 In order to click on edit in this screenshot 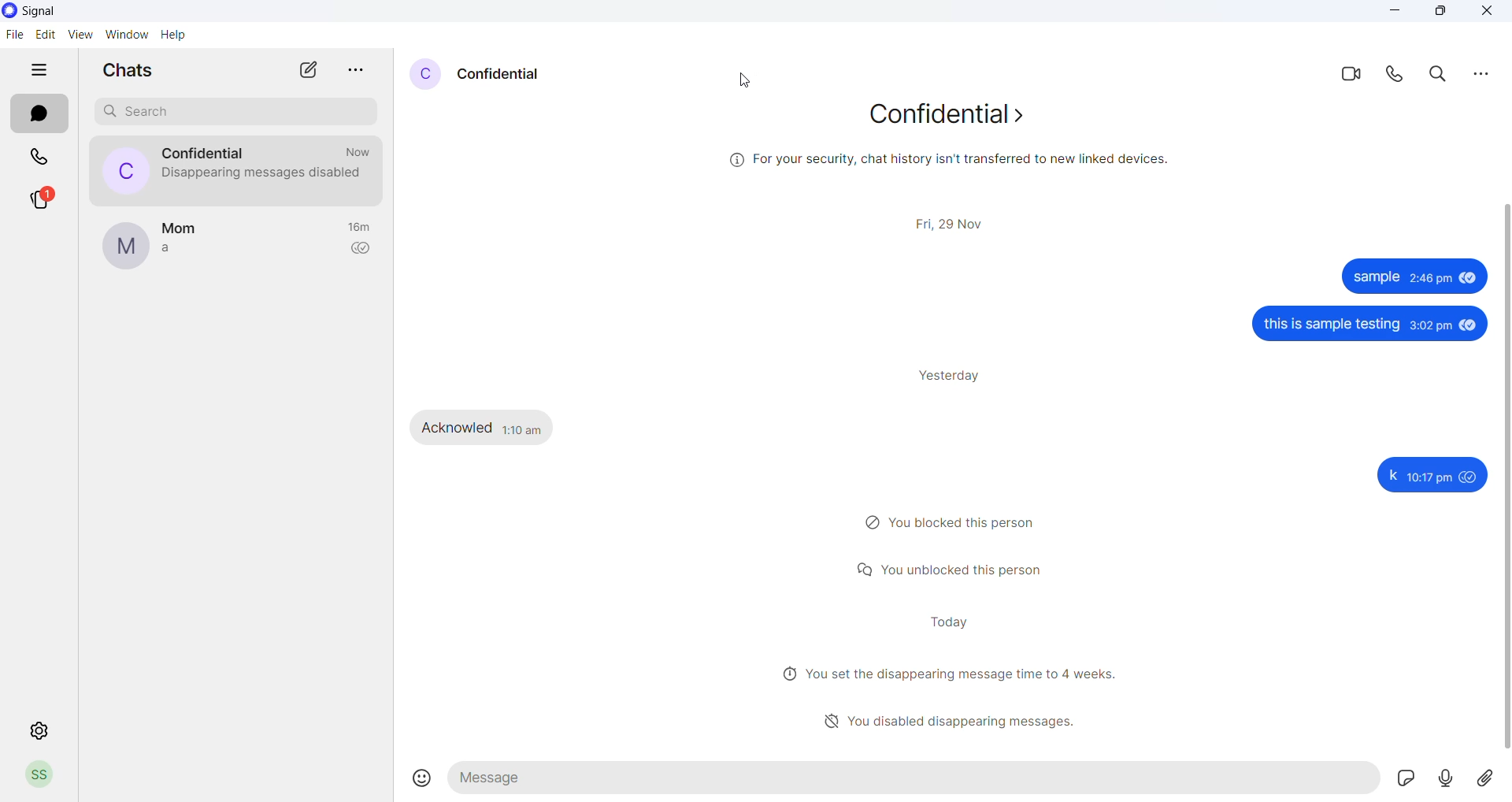, I will do `click(42, 35)`.